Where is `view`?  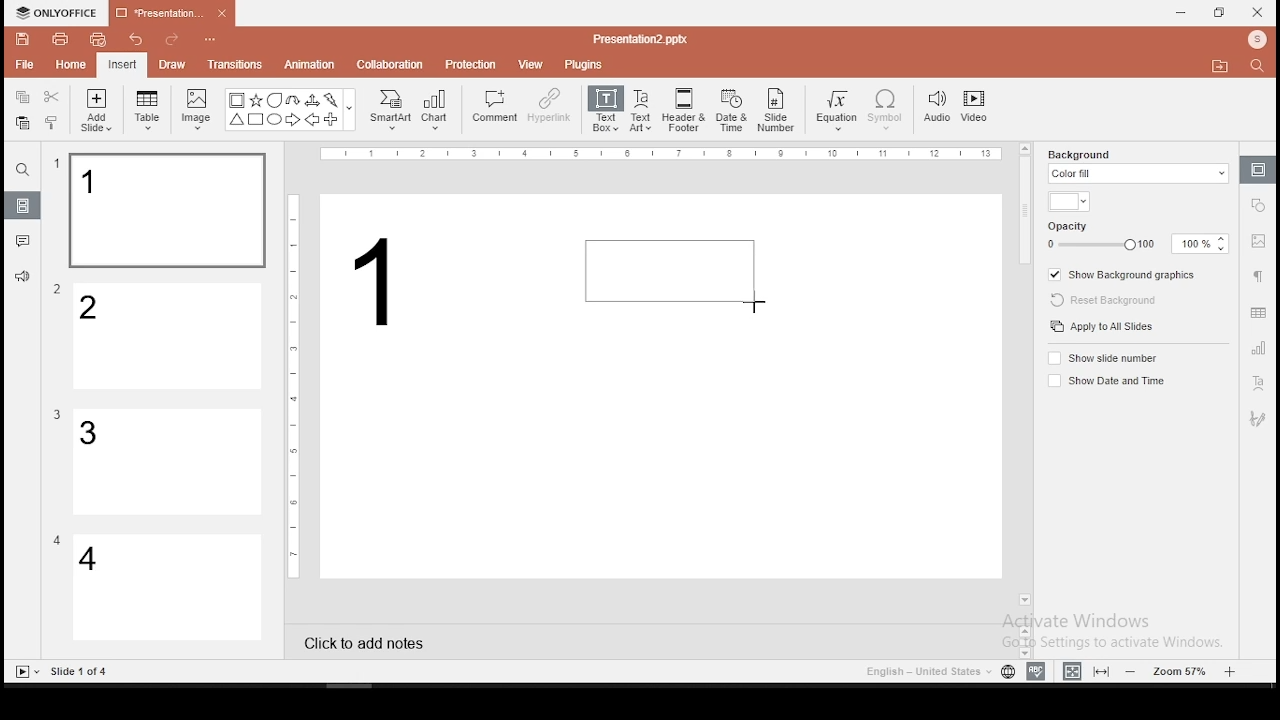
view is located at coordinates (532, 63).